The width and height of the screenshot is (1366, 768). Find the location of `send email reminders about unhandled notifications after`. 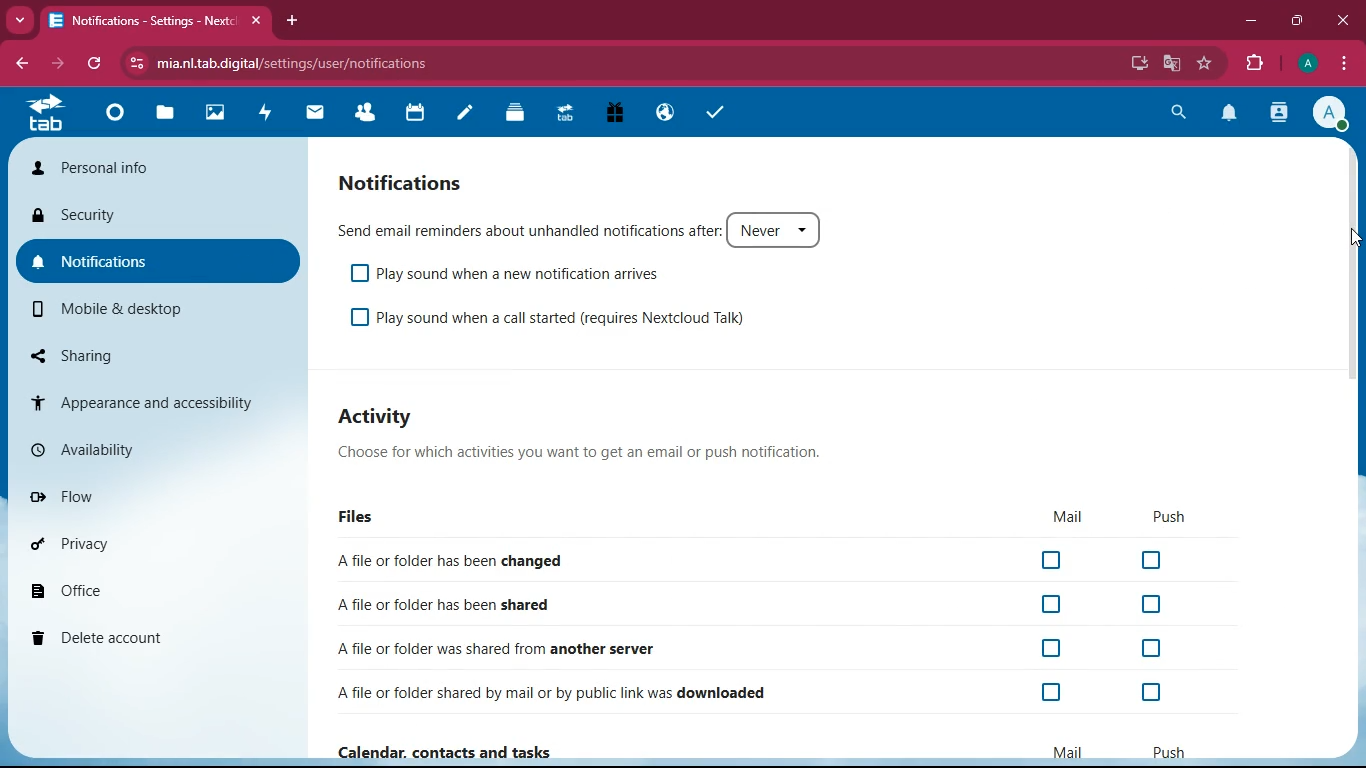

send email reminders about unhandled notifications after is located at coordinates (526, 228).